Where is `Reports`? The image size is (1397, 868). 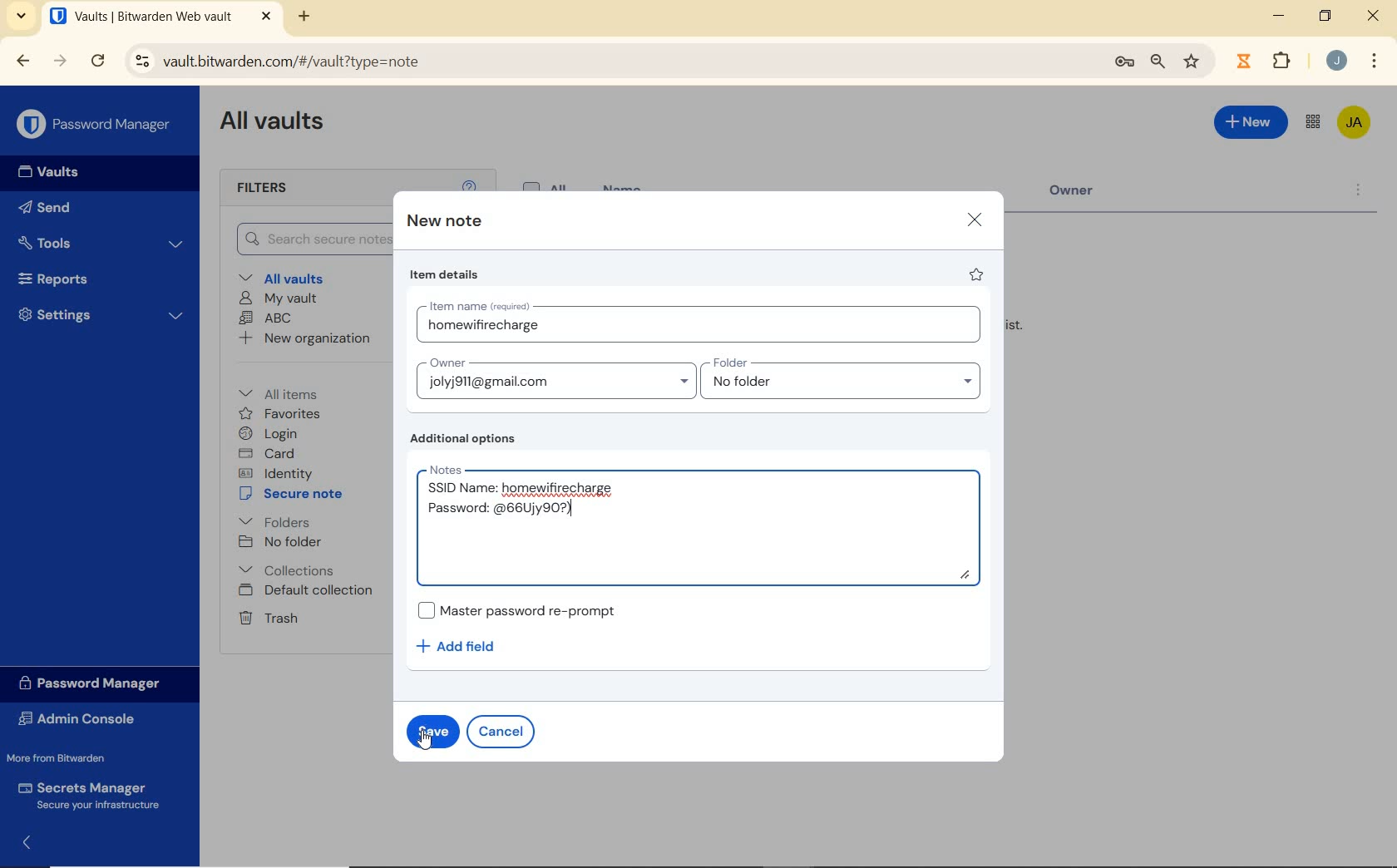
Reports is located at coordinates (95, 277).